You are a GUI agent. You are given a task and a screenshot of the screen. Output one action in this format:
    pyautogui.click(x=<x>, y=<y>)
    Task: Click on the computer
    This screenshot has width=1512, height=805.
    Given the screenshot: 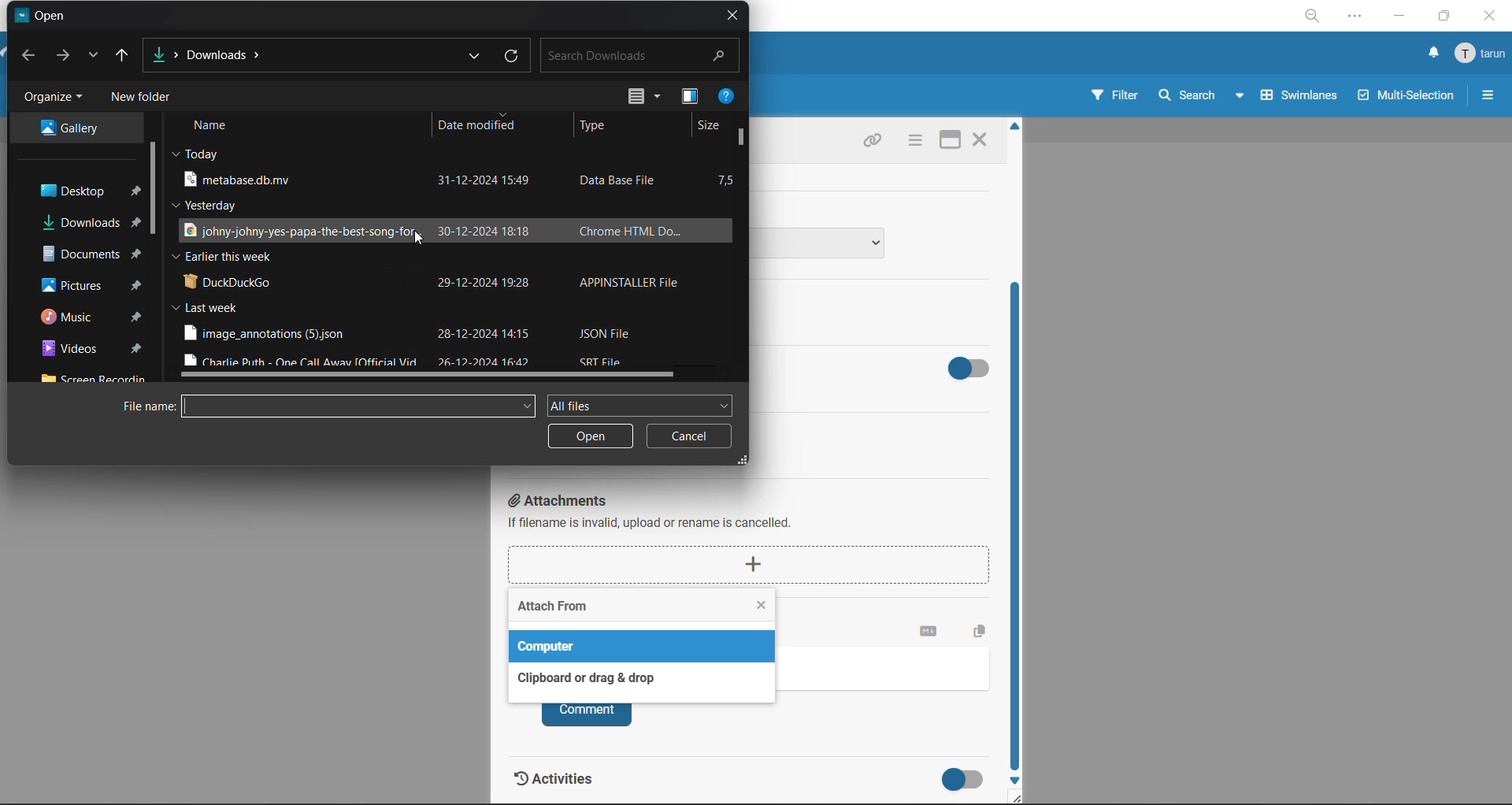 What is the action you would take?
    pyautogui.click(x=552, y=646)
    